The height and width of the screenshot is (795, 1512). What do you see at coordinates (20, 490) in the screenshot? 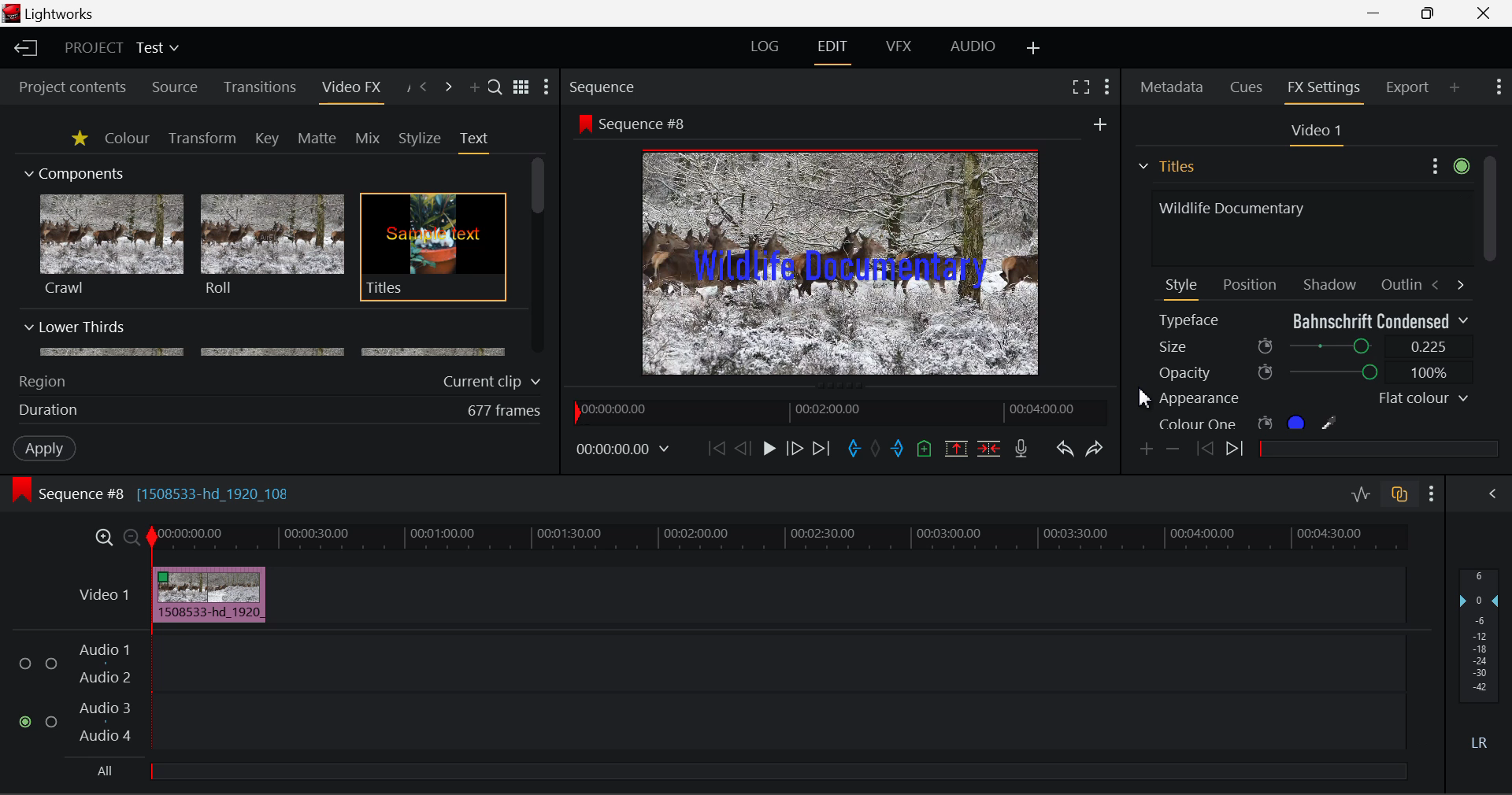
I see `icon` at bounding box center [20, 490].